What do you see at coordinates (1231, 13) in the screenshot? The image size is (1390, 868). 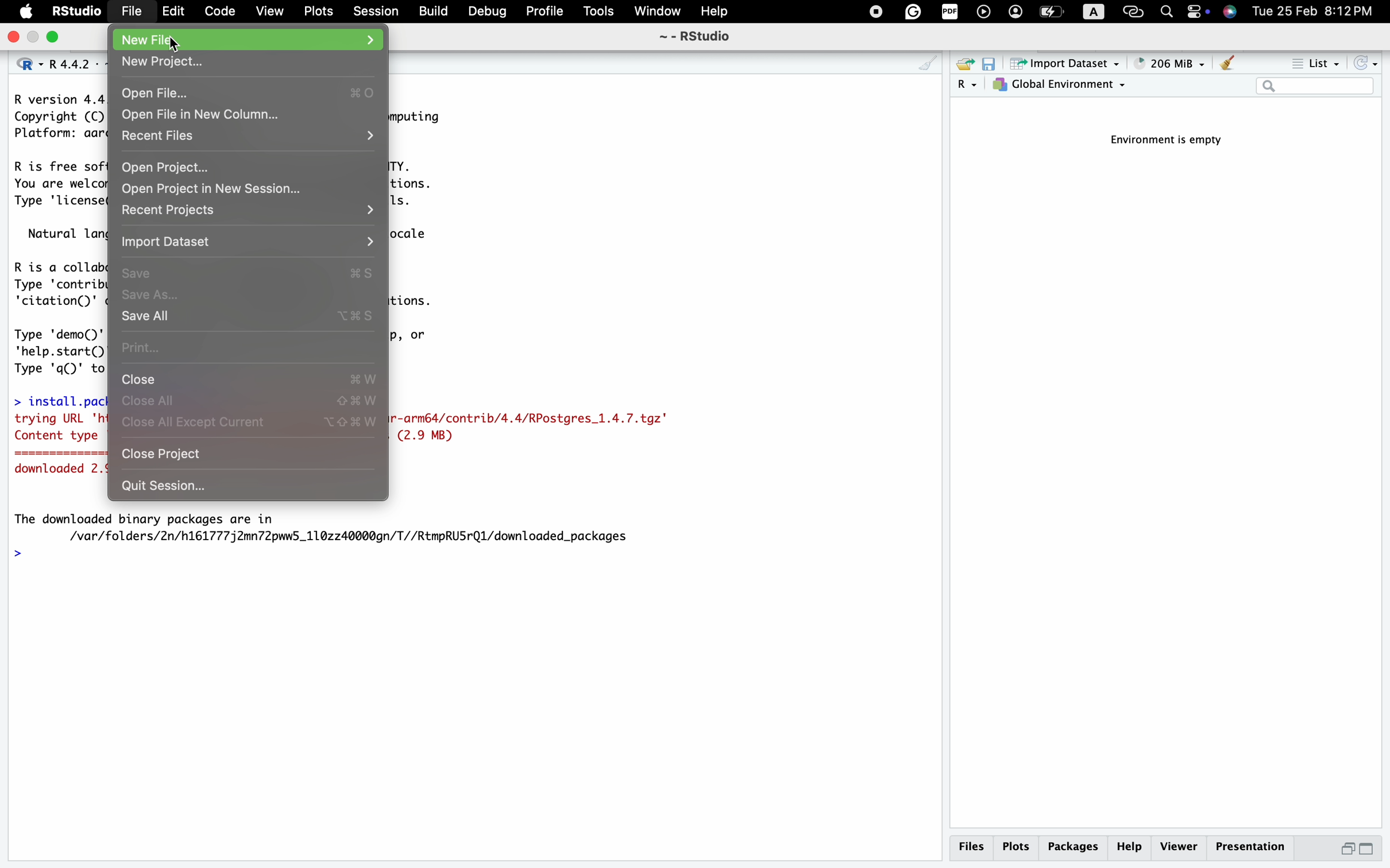 I see `siri` at bounding box center [1231, 13].